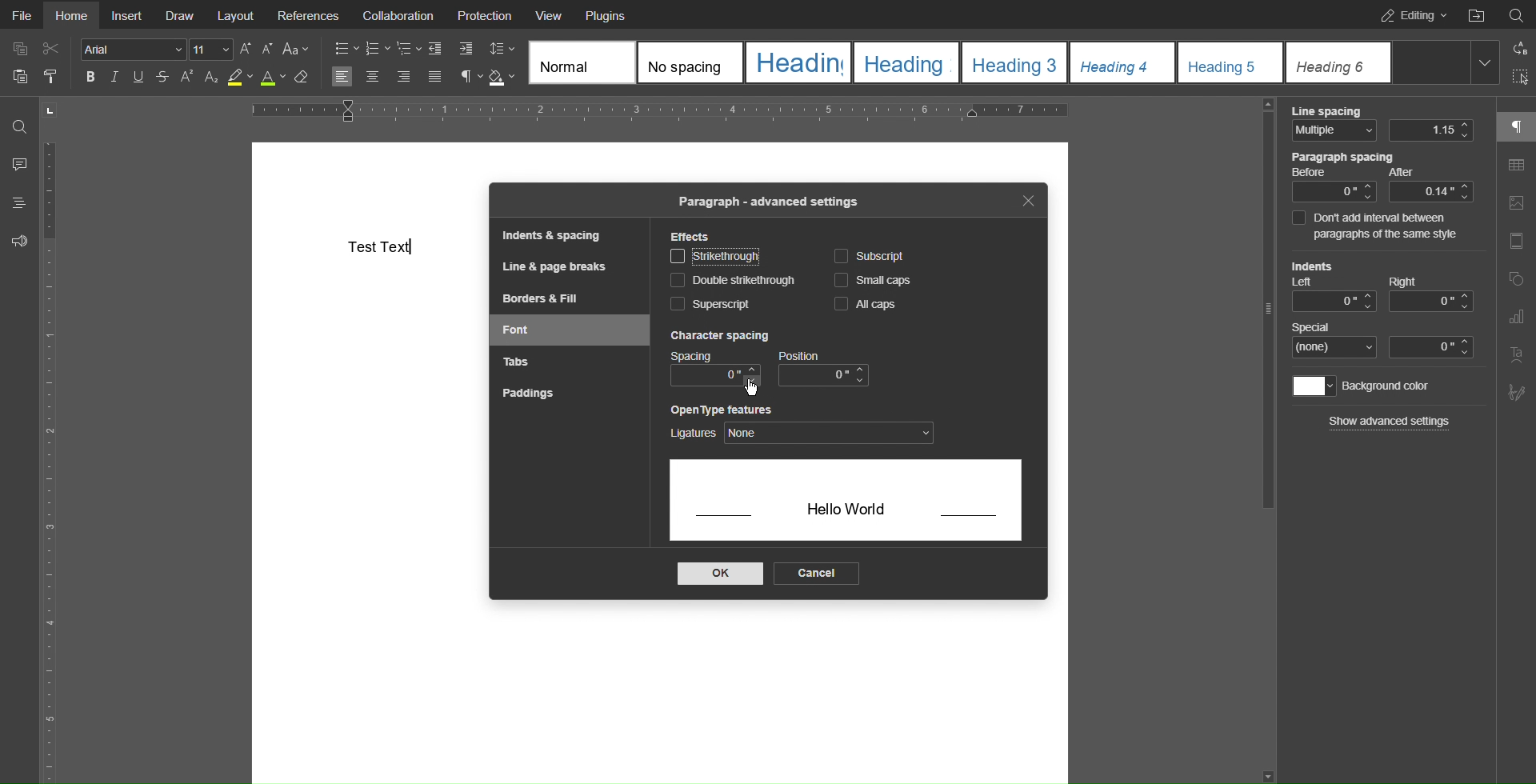 This screenshot has height=784, width=1536. Describe the element at coordinates (1007, 63) in the screenshot. I see `Headings Templates` at that location.